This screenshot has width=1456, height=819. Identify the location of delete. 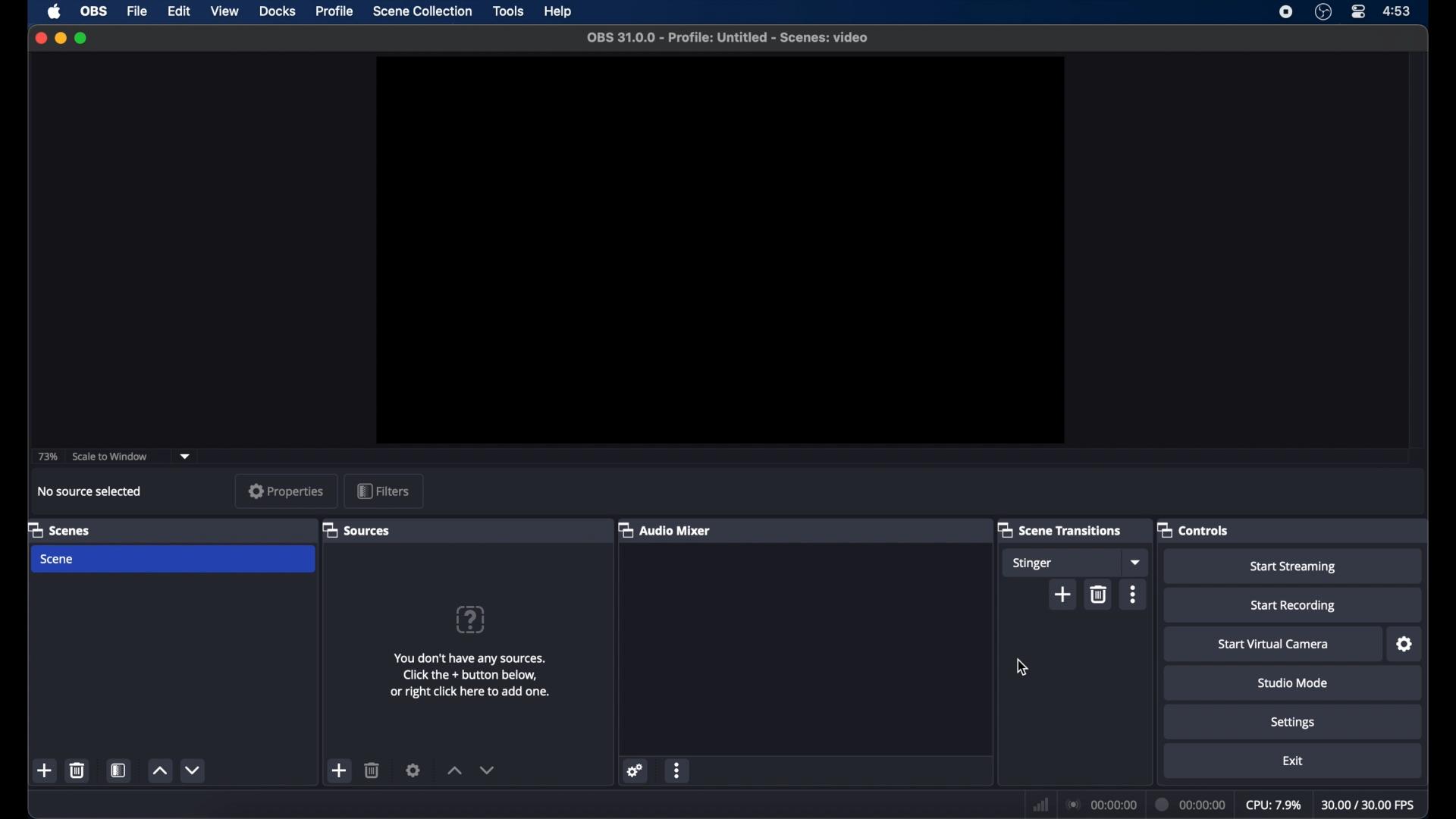
(77, 769).